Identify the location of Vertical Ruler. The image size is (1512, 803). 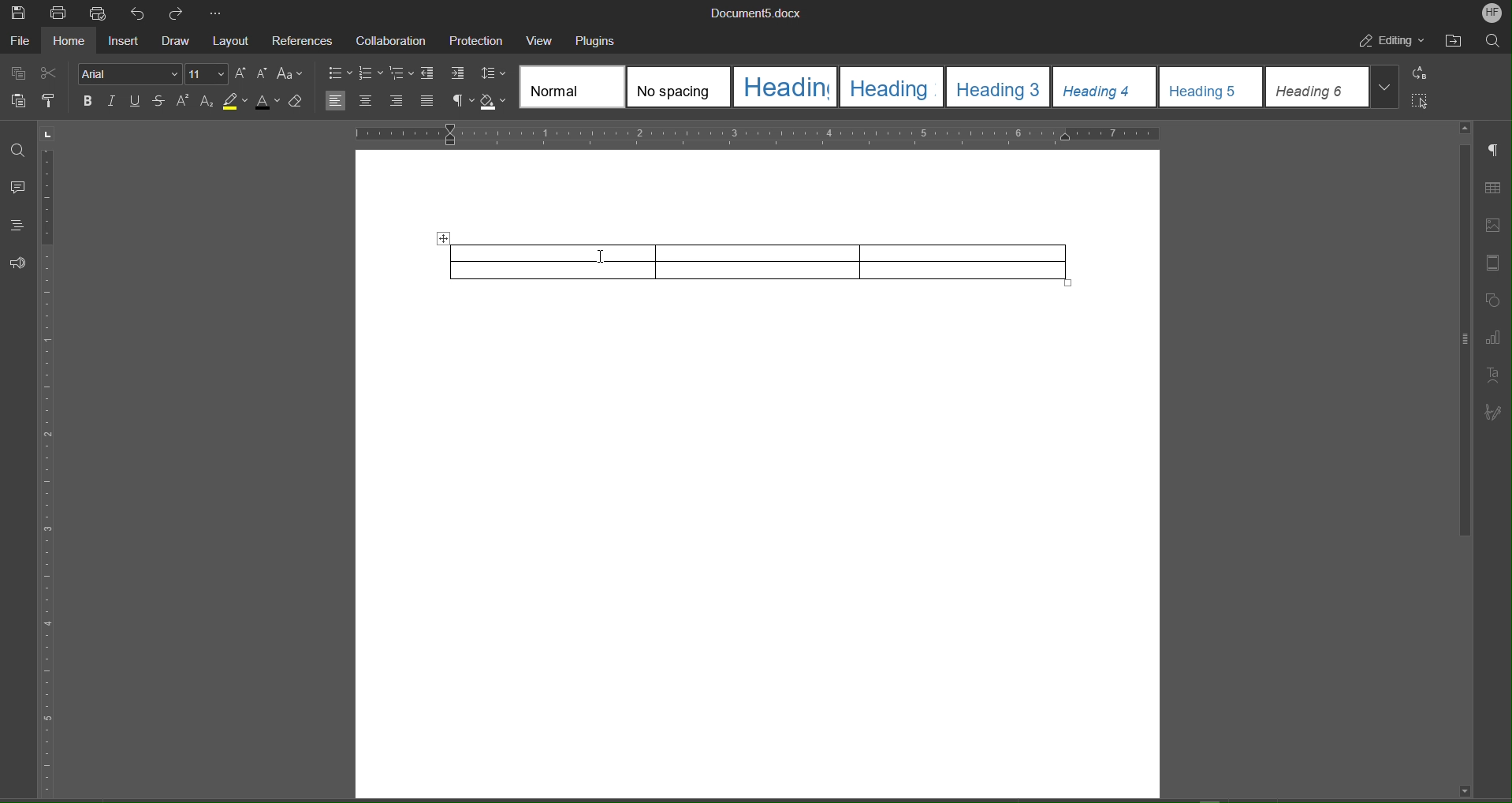
(50, 472).